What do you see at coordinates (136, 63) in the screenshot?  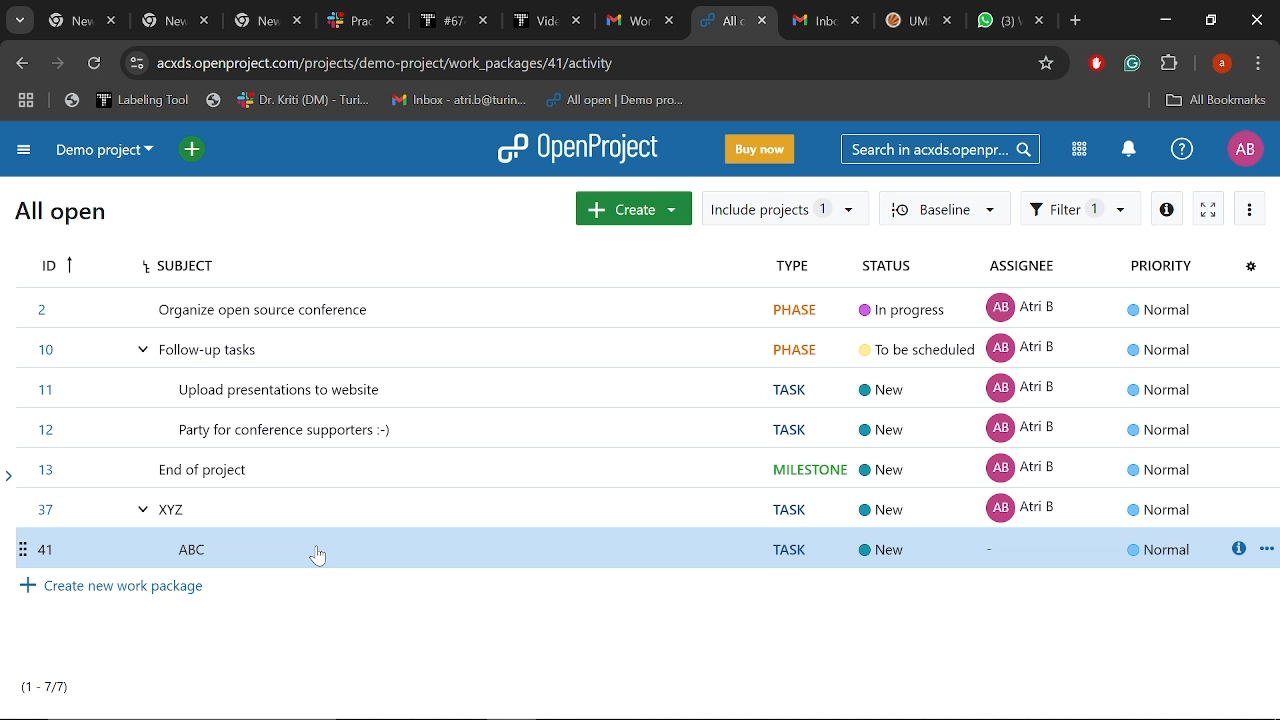 I see `site info` at bounding box center [136, 63].